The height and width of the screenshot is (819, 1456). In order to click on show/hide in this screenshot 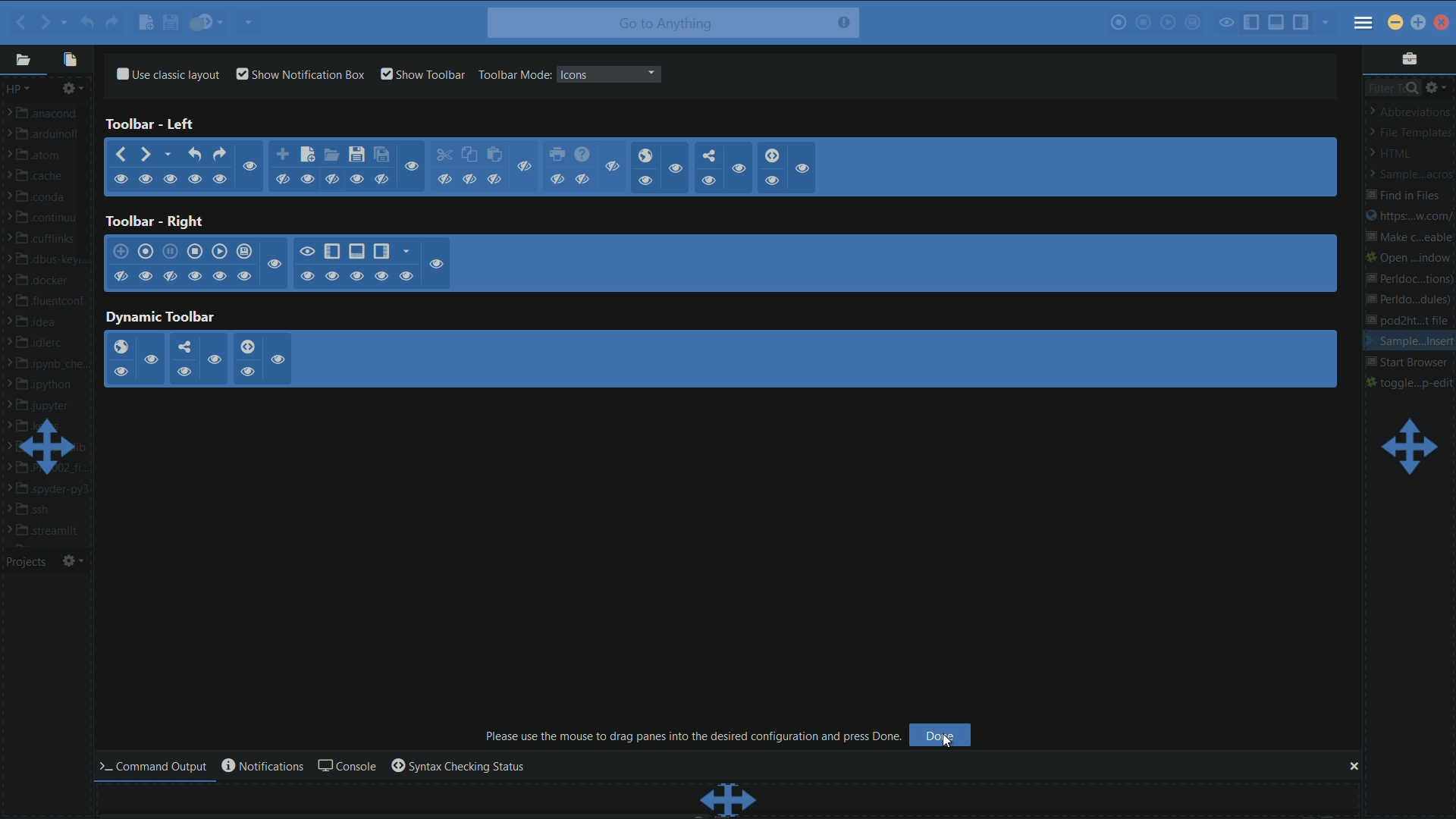, I will do `click(495, 179)`.